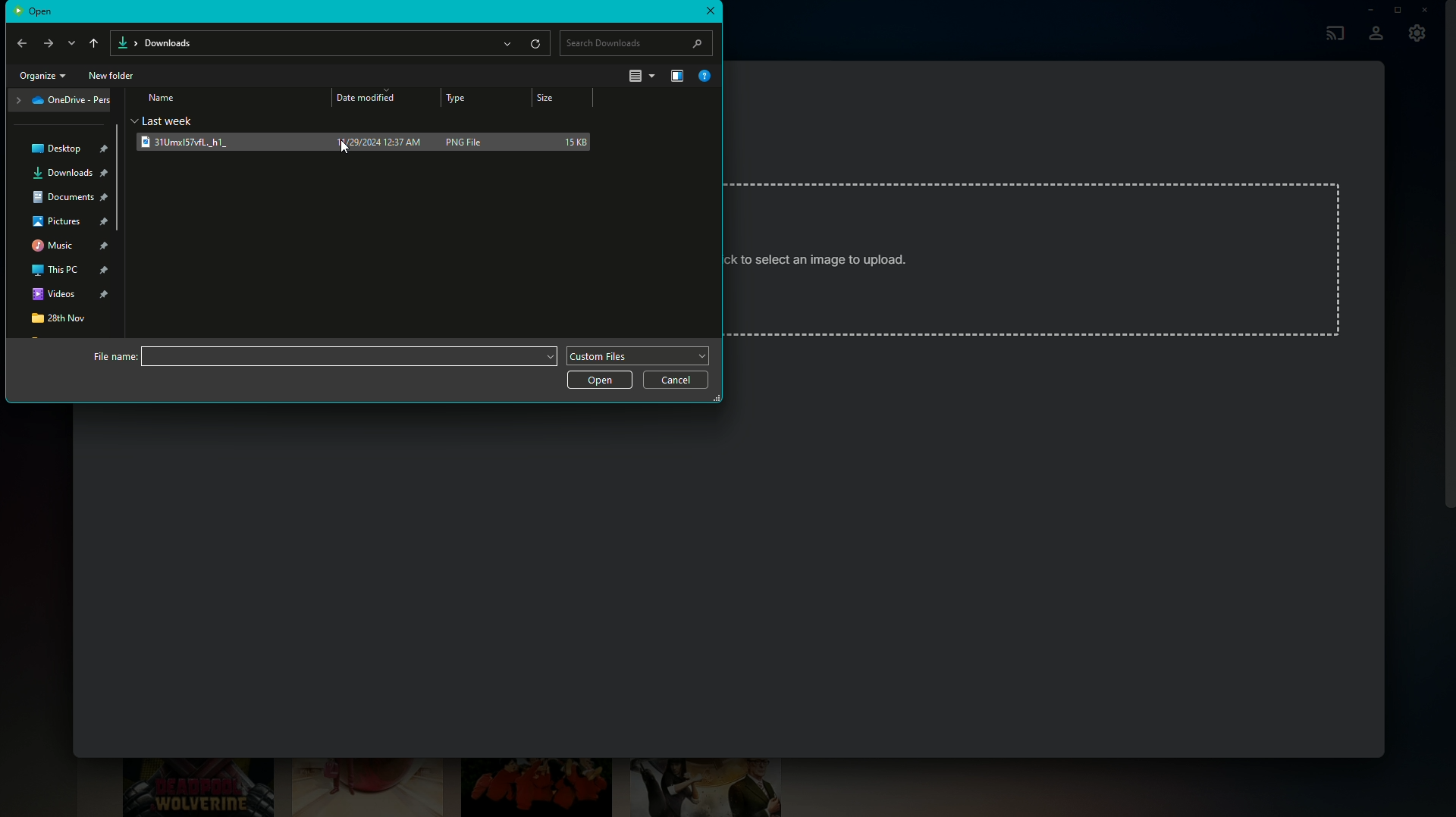 The image size is (1456, 817). Describe the element at coordinates (69, 246) in the screenshot. I see `Music` at that location.